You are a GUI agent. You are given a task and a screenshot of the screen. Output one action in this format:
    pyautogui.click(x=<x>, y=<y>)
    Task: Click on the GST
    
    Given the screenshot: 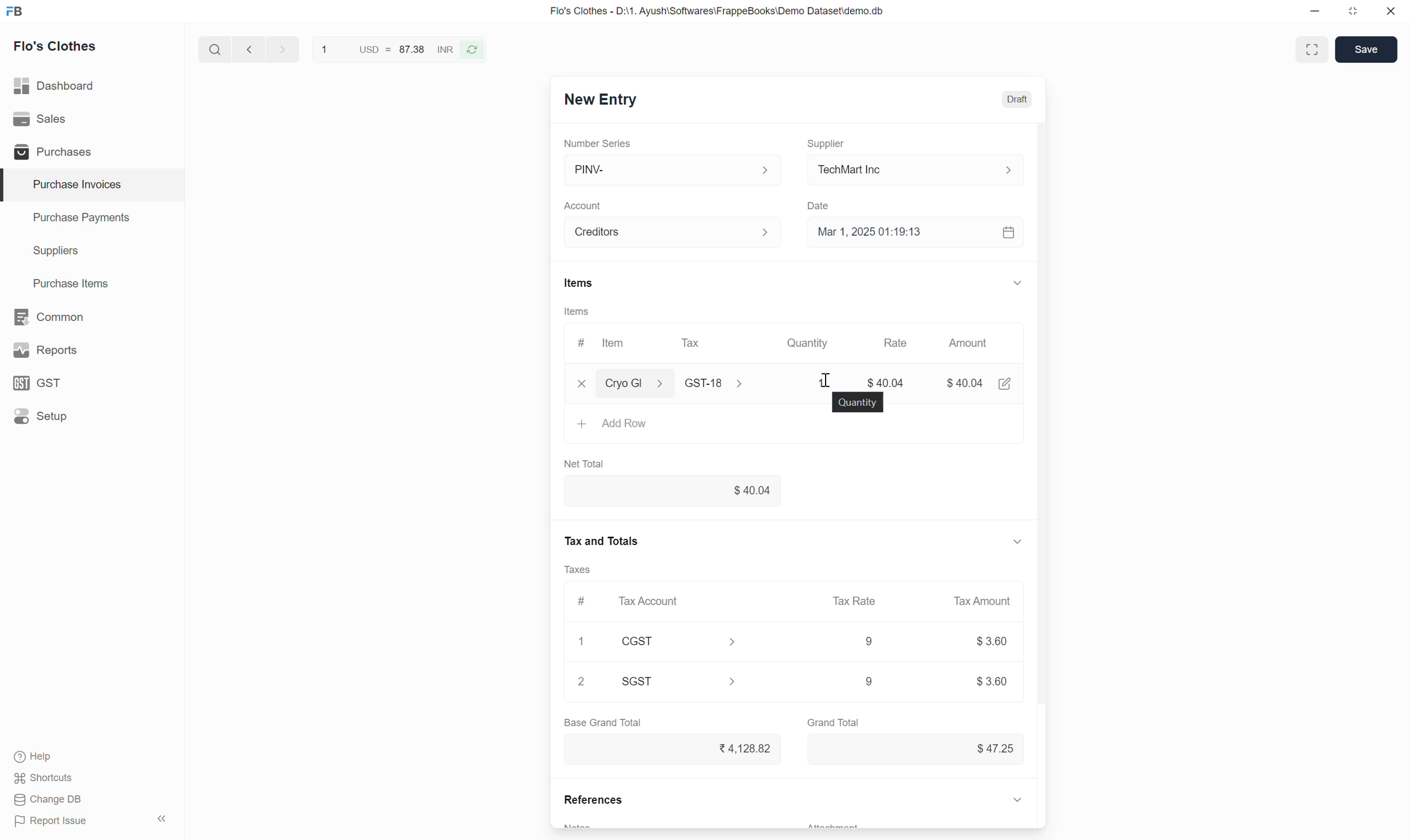 What is the action you would take?
    pyautogui.click(x=42, y=383)
    